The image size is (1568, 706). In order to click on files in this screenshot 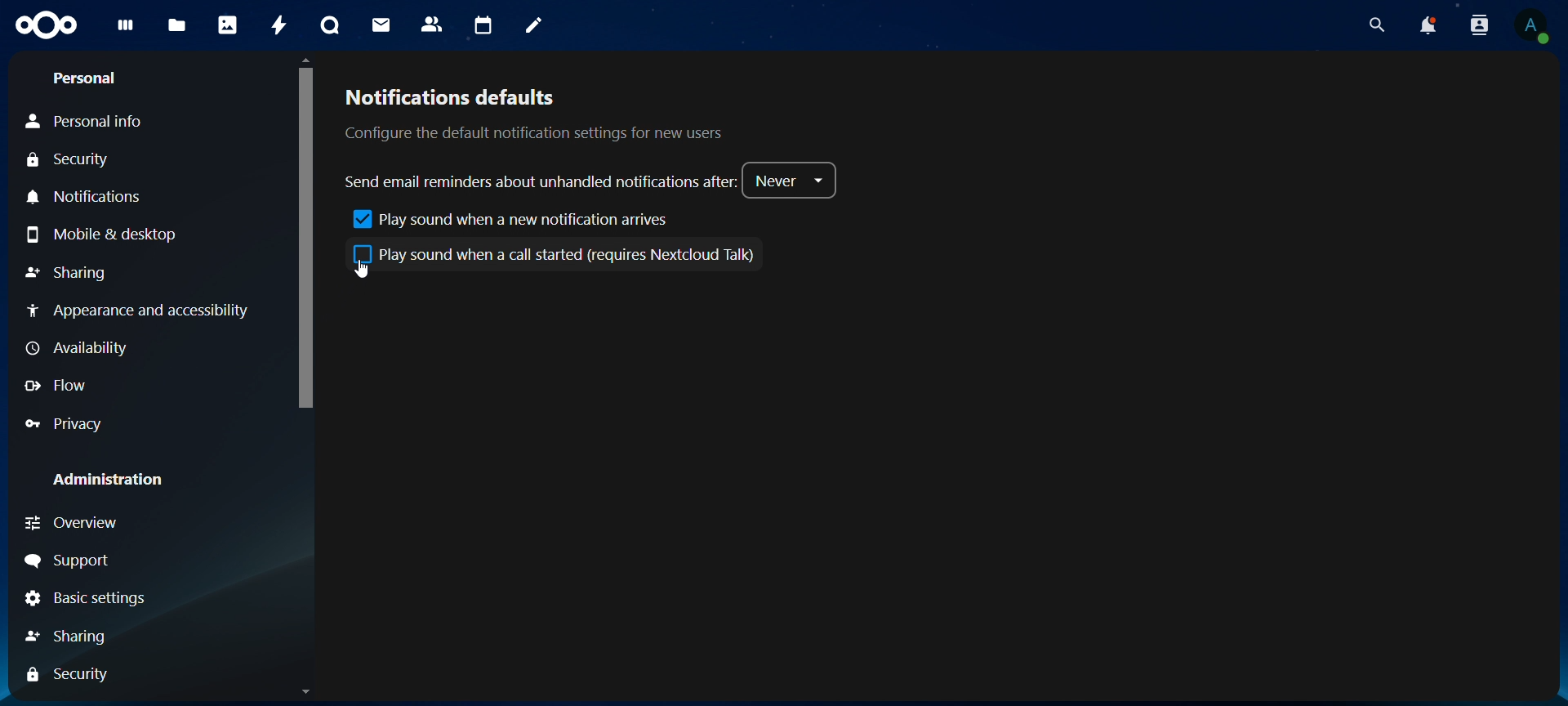, I will do `click(176, 25)`.